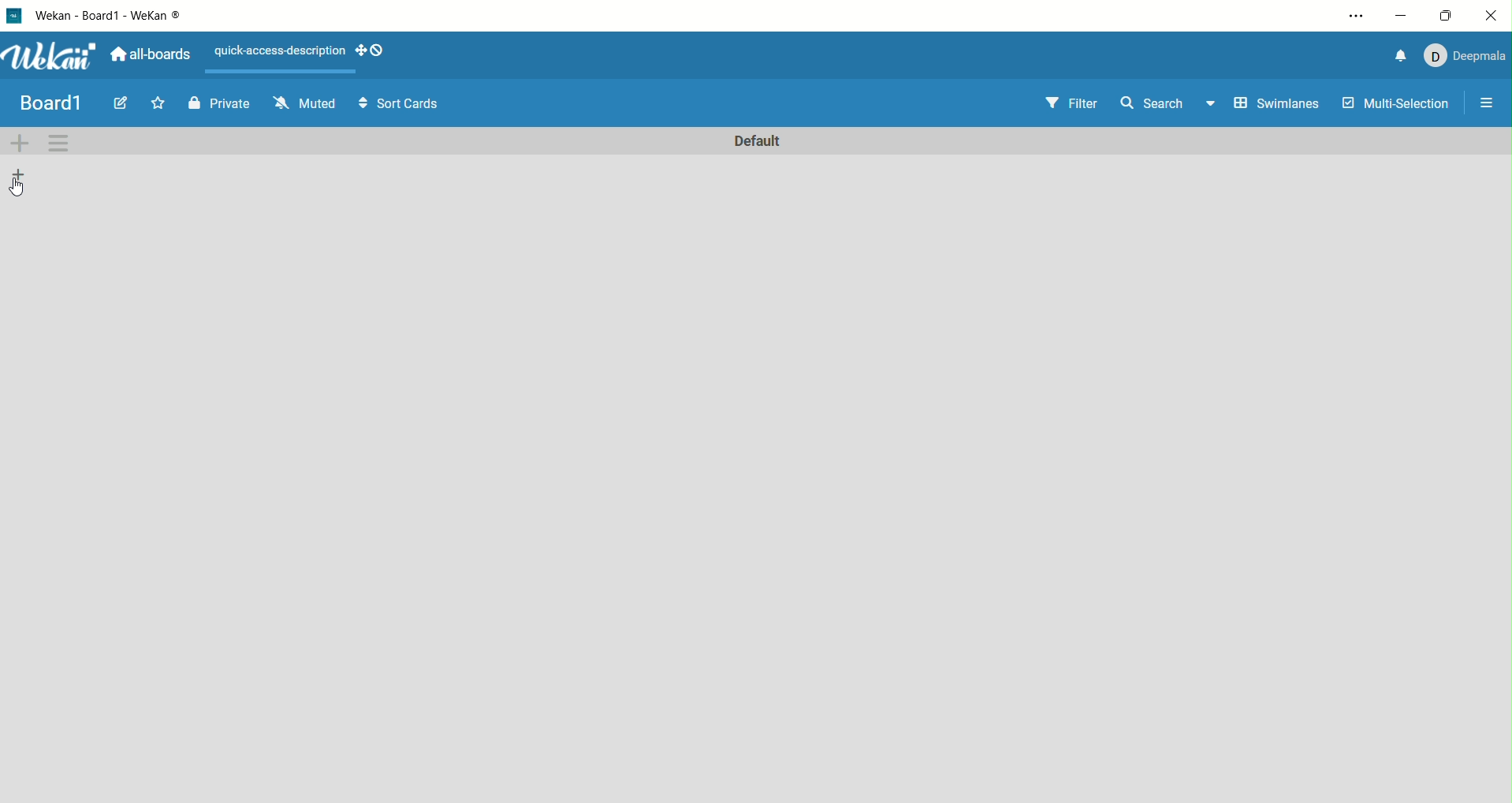 This screenshot has height=803, width=1512. Describe the element at coordinates (1398, 104) in the screenshot. I see `multi-selection` at that location.